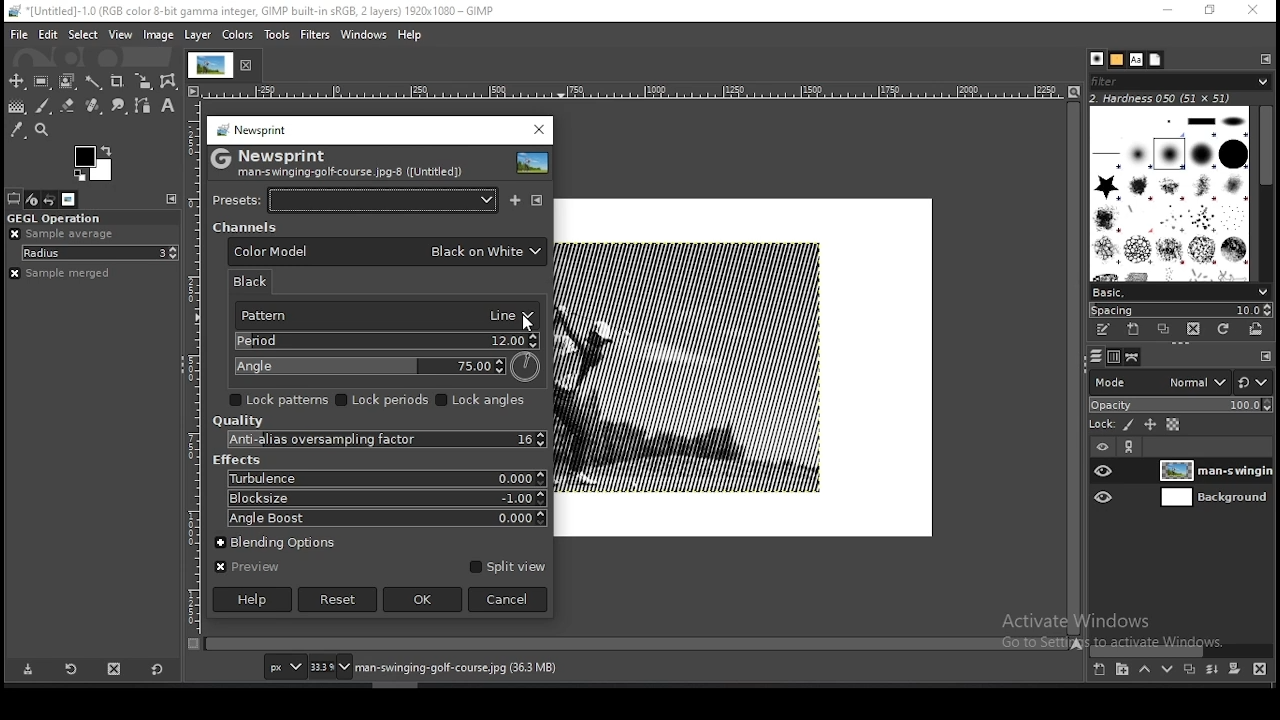  What do you see at coordinates (275, 35) in the screenshot?
I see `tools` at bounding box center [275, 35].